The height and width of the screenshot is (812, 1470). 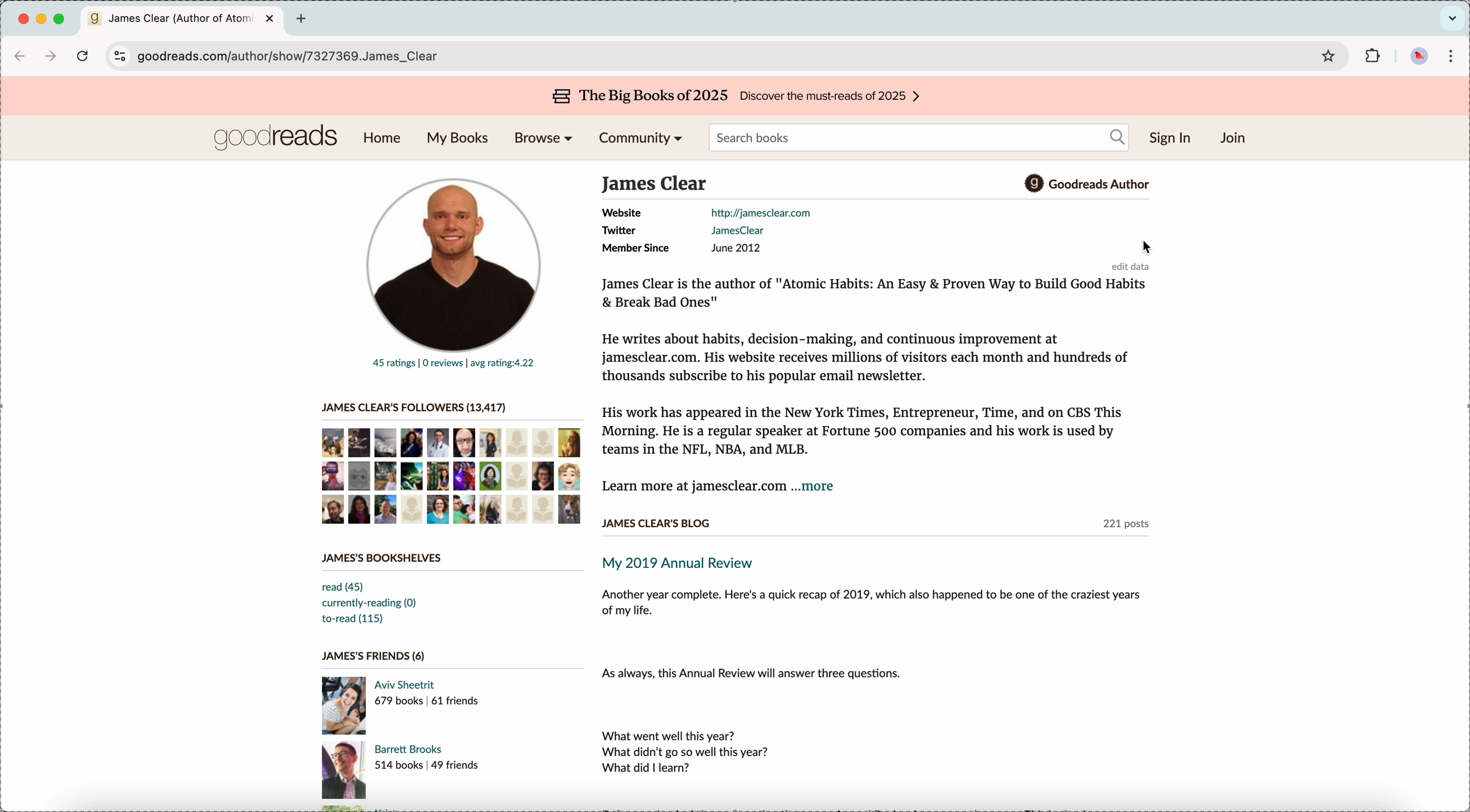 I want to click on my books, so click(x=455, y=139).